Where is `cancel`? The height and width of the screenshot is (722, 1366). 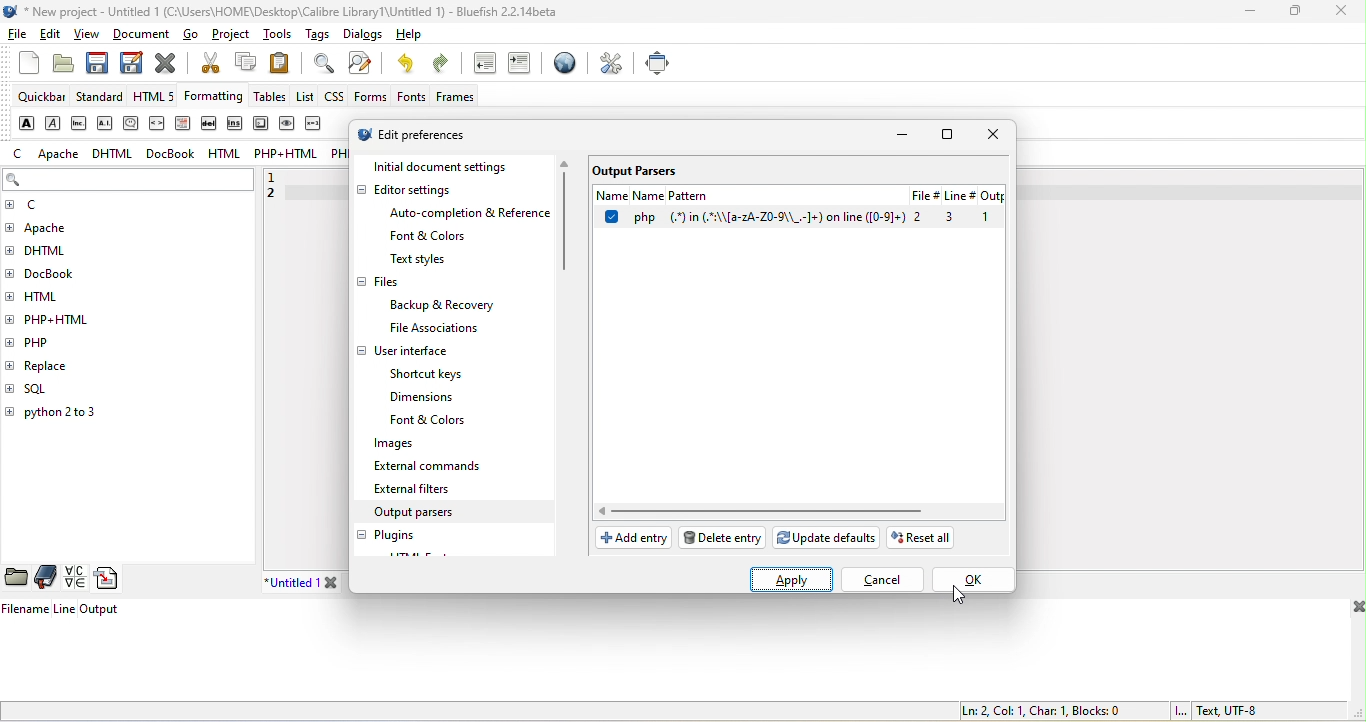 cancel is located at coordinates (876, 582).